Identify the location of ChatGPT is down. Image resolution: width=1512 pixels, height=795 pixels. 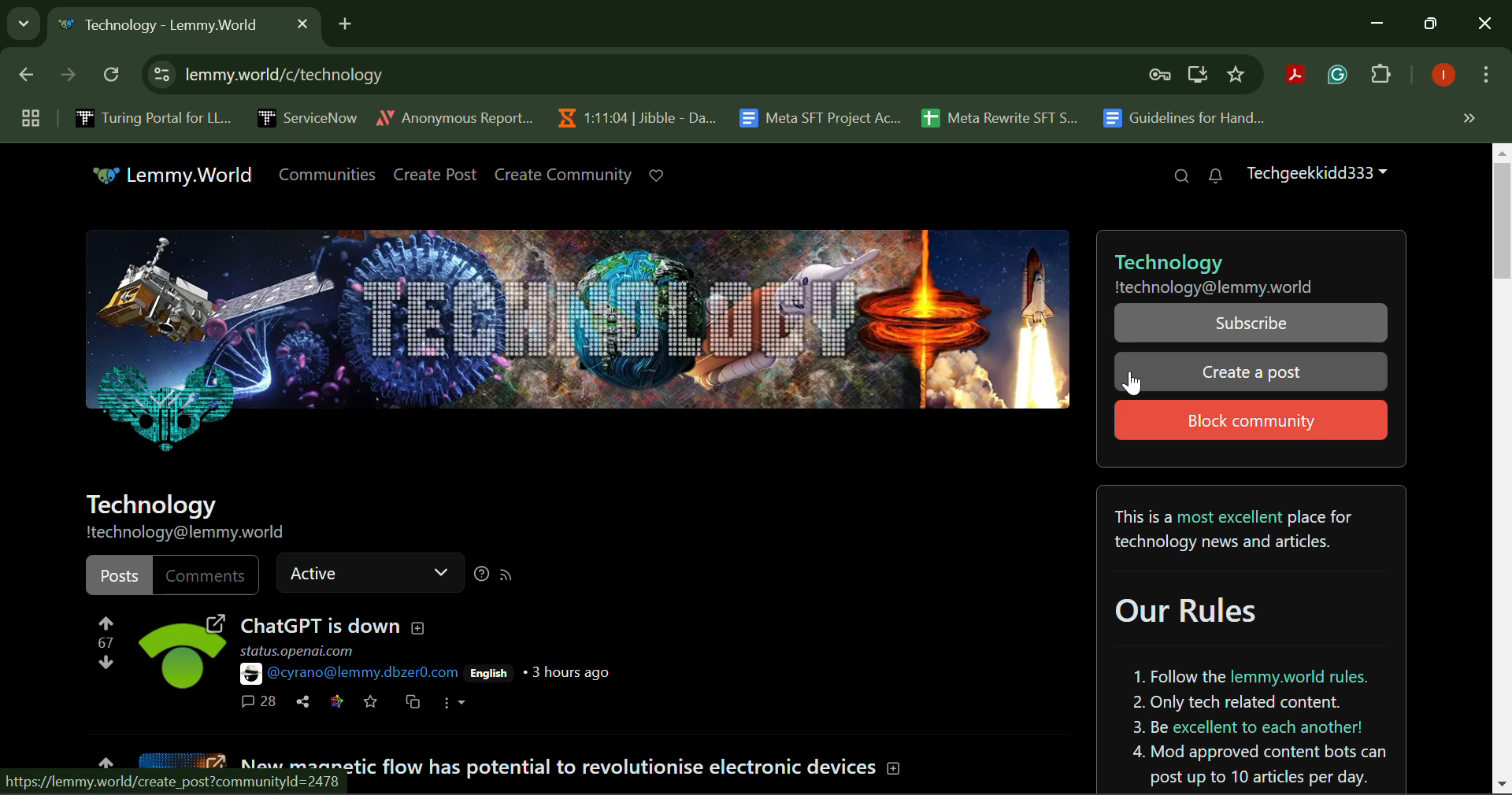
(336, 625).